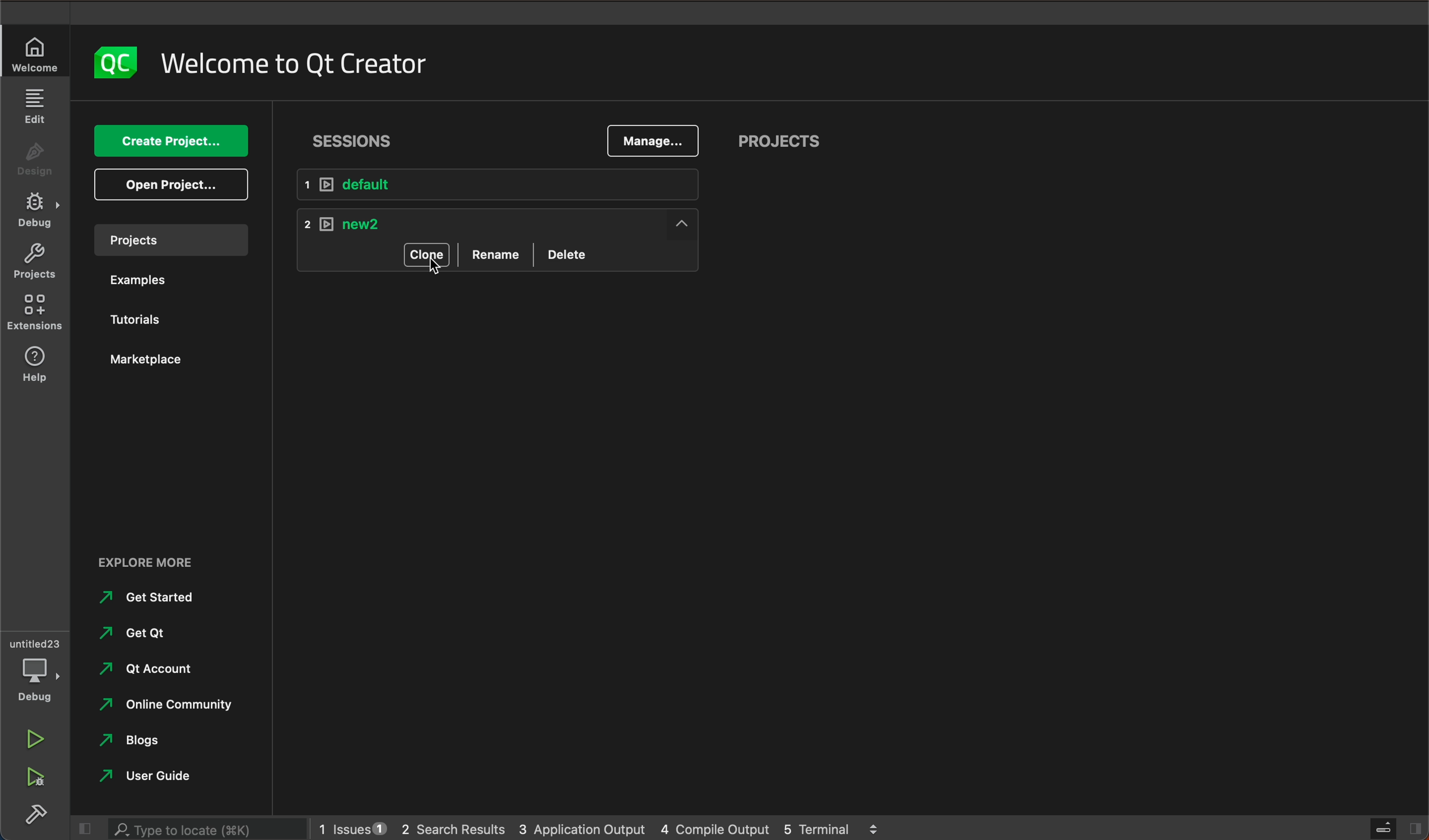 Image resolution: width=1429 pixels, height=840 pixels. Describe the element at coordinates (34, 315) in the screenshot. I see `extensions` at that location.